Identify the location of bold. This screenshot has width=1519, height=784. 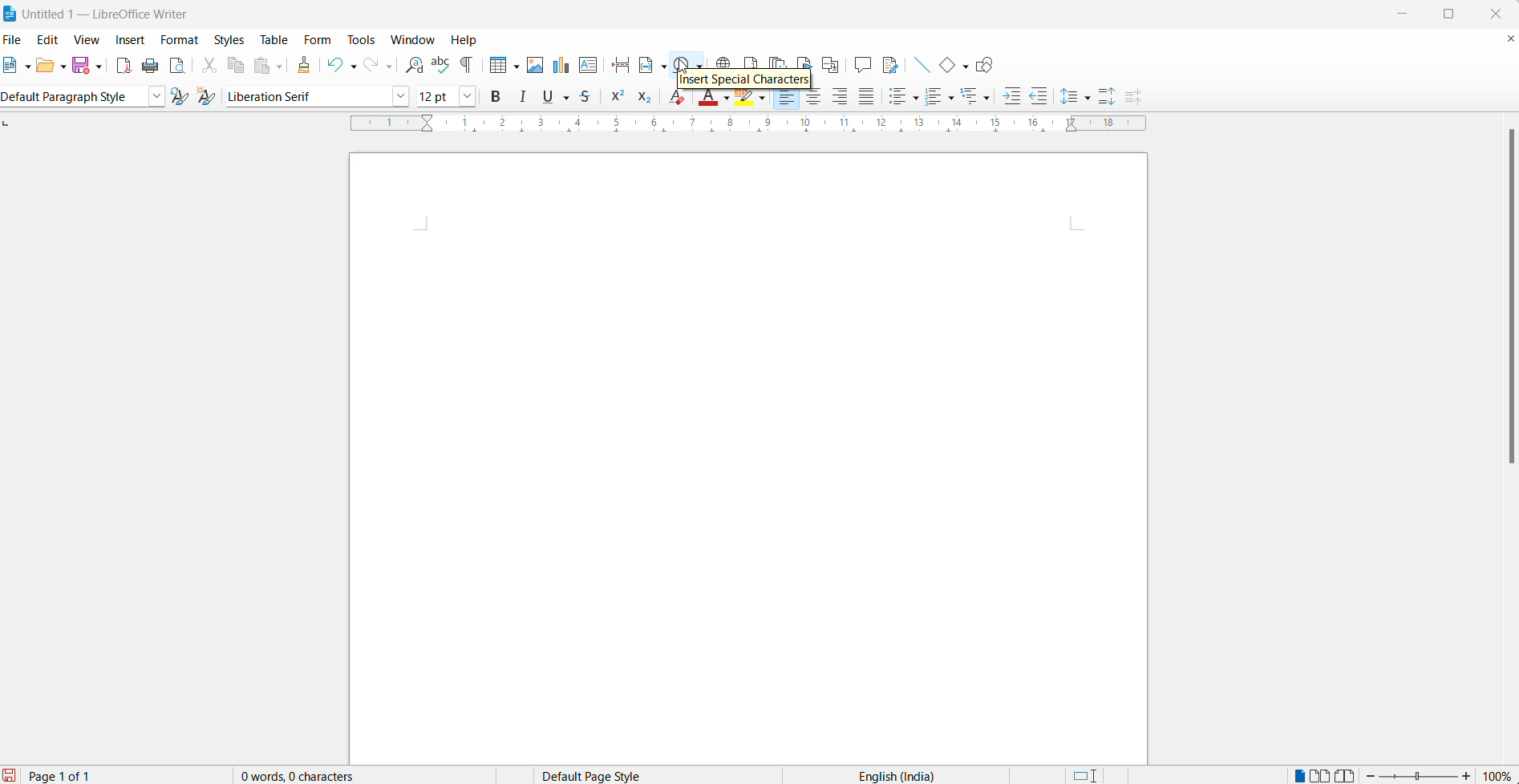
(499, 96).